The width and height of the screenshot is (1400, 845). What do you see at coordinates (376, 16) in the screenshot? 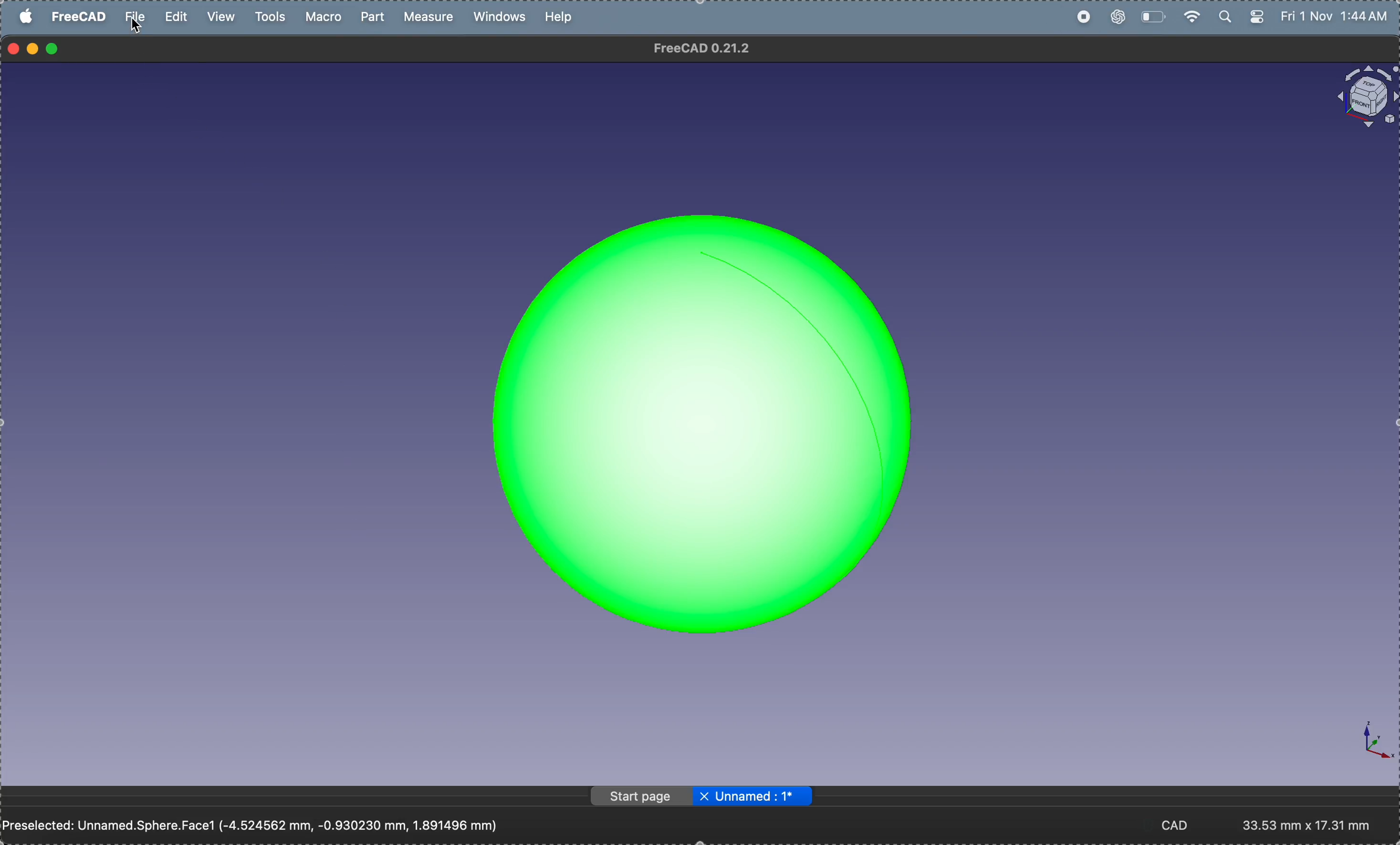
I see `part` at bounding box center [376, 16].